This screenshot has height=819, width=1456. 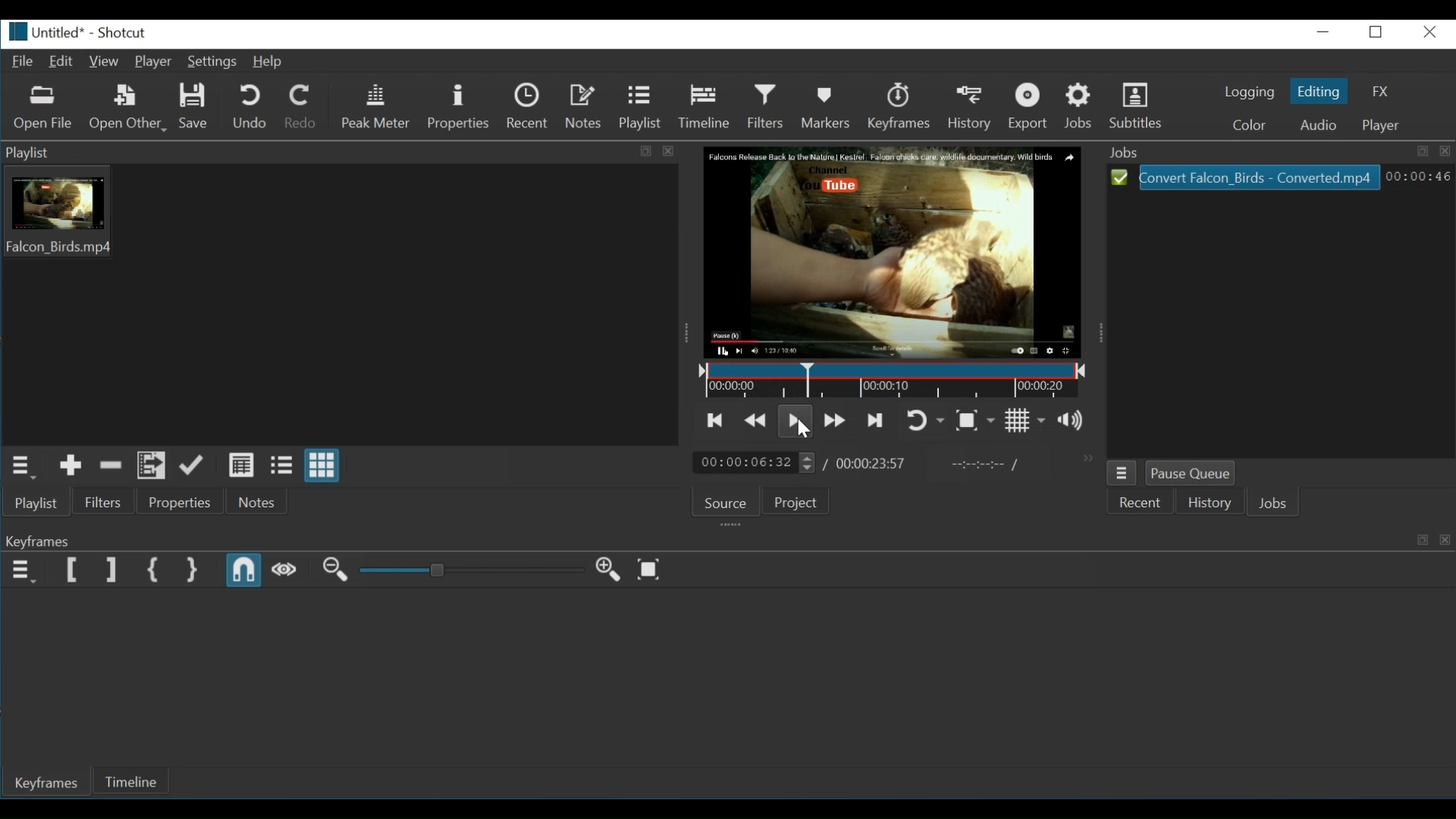 I want to click on Set Second Simple Keyframe, so click(x=190, y=570).